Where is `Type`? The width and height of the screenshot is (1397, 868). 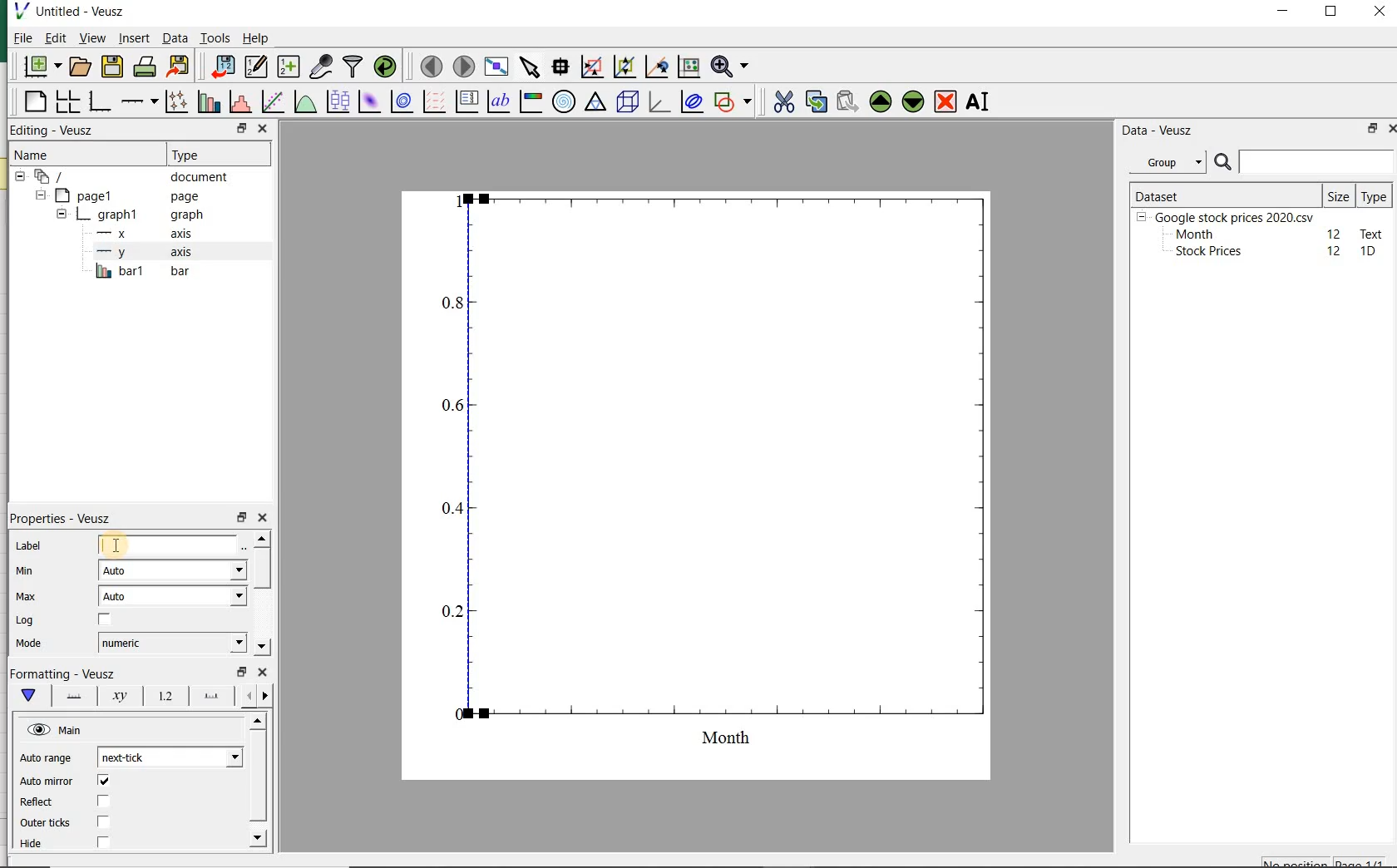 Type is located at coordinates (1374, 195).